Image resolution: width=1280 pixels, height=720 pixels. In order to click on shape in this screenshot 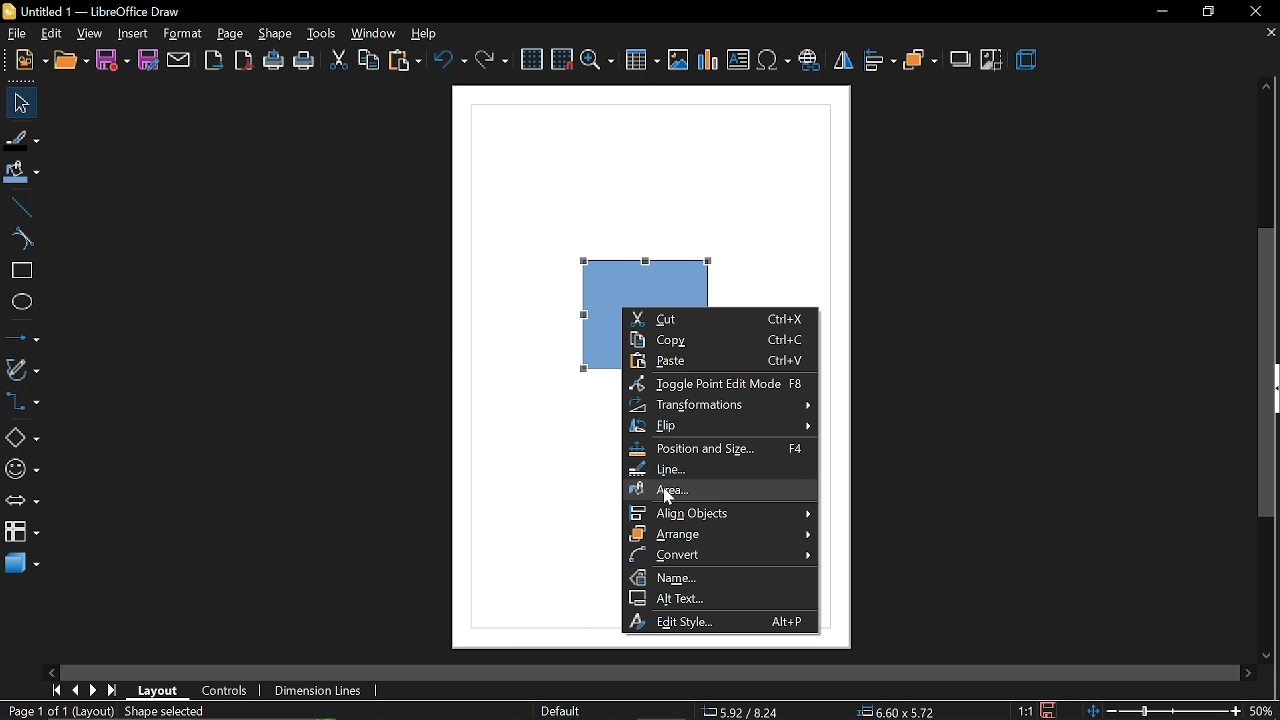, I will do `click(276, 34)`.